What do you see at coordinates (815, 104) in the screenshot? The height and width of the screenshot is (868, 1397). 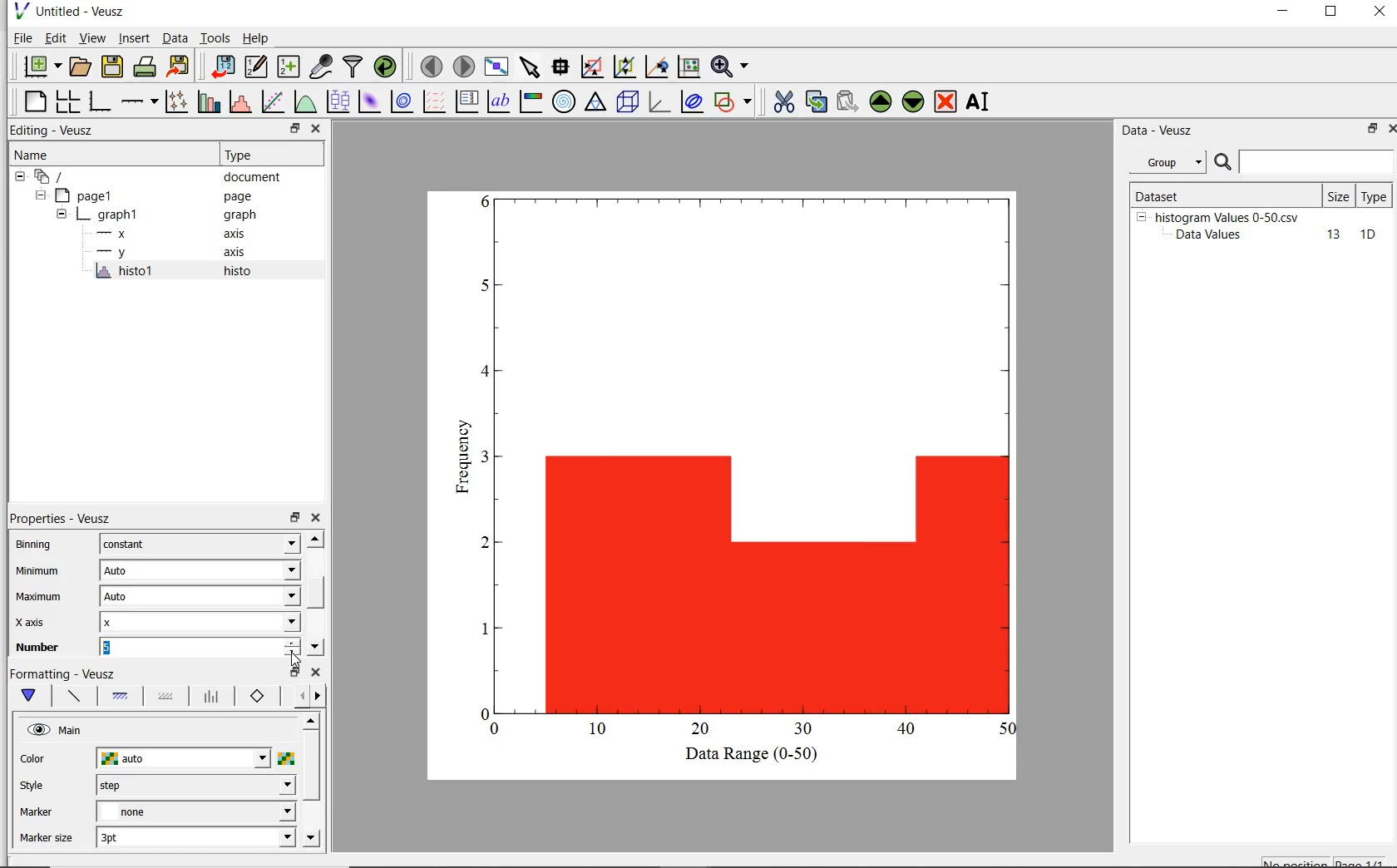 I see `copy the selected widget` at bounding box center [815, 104].